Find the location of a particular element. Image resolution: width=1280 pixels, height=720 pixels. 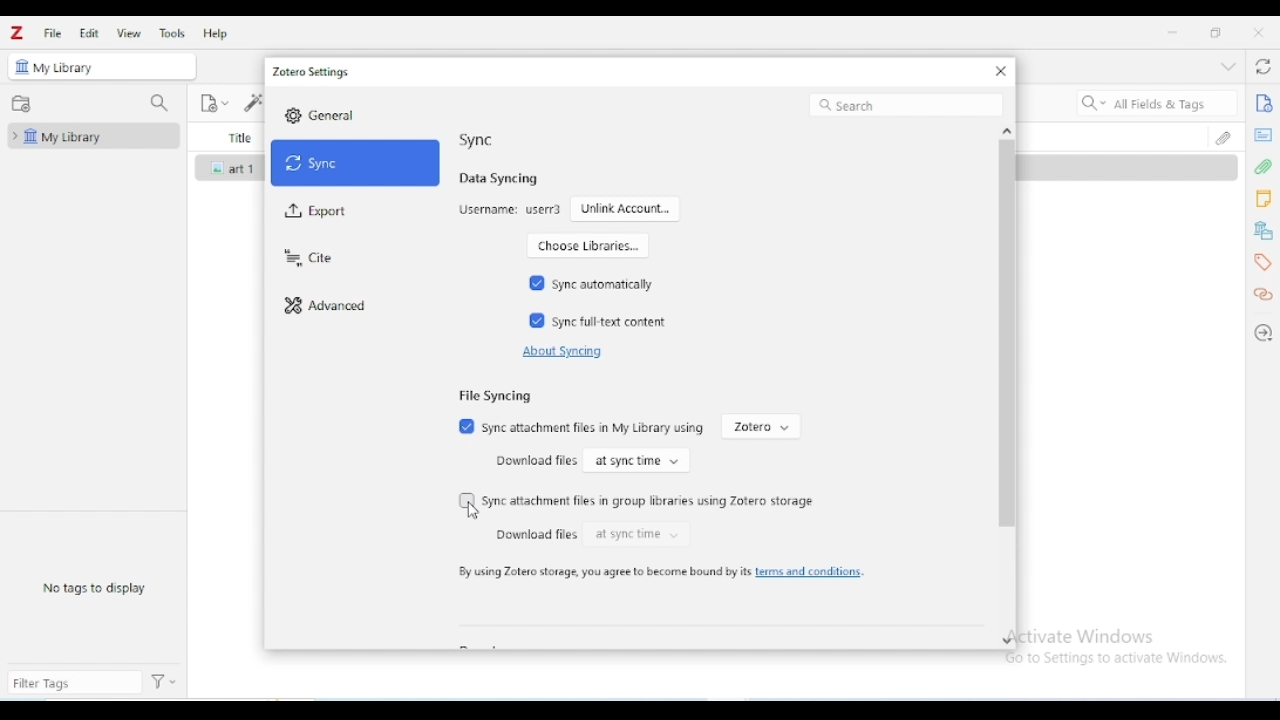

cursor is located at coordinates (474, 513).